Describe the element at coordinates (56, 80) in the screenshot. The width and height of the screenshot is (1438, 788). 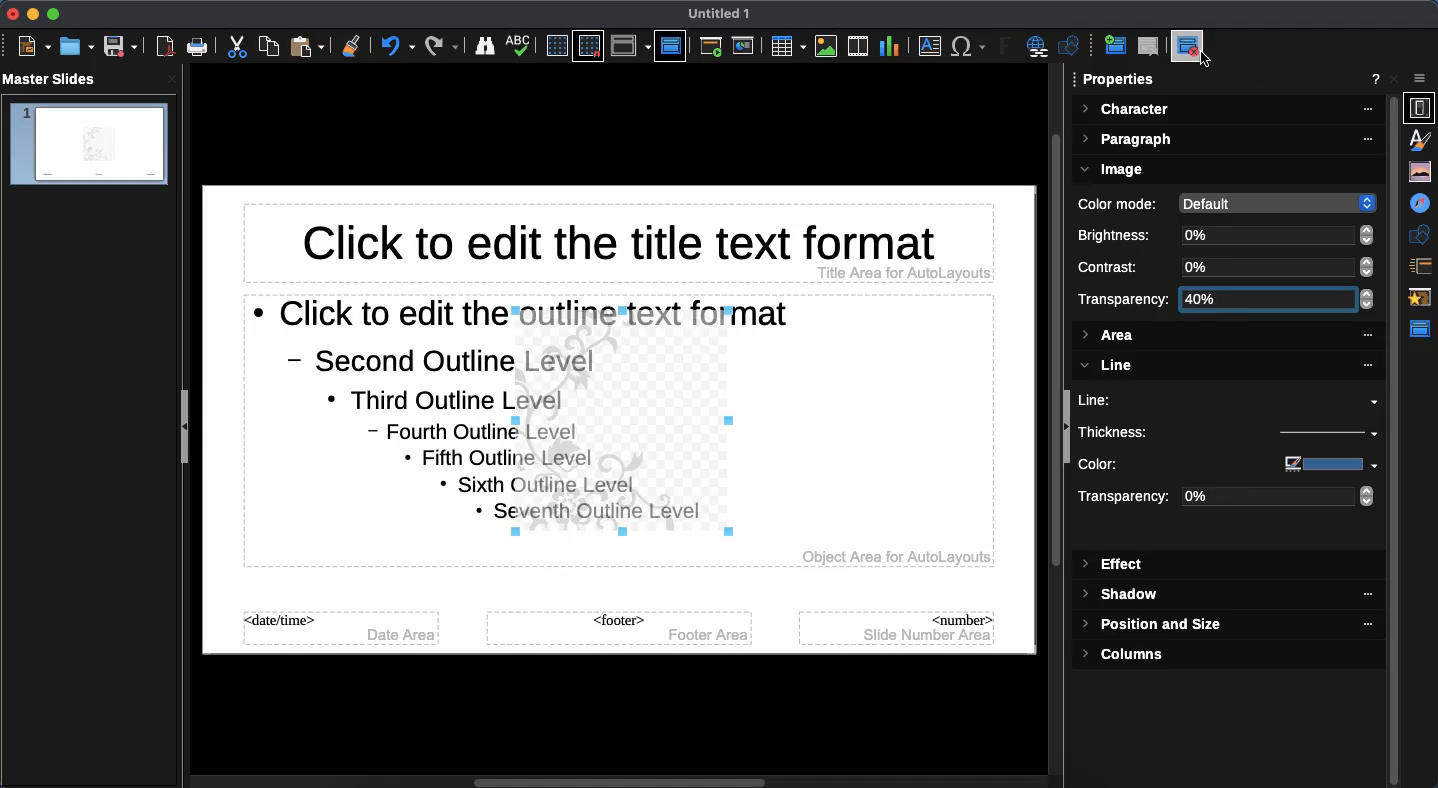
I see `Master slides` at that location.